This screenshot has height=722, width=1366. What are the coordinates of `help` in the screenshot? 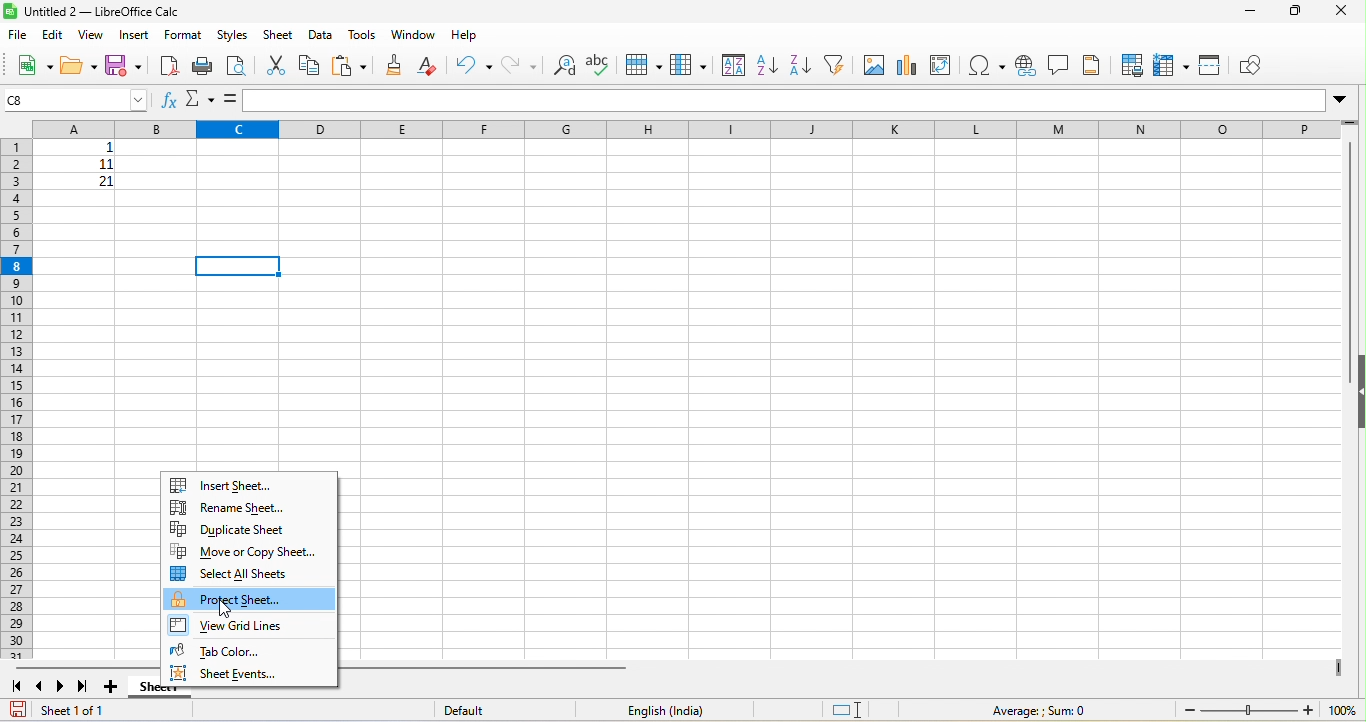 It's located at (471, 35).